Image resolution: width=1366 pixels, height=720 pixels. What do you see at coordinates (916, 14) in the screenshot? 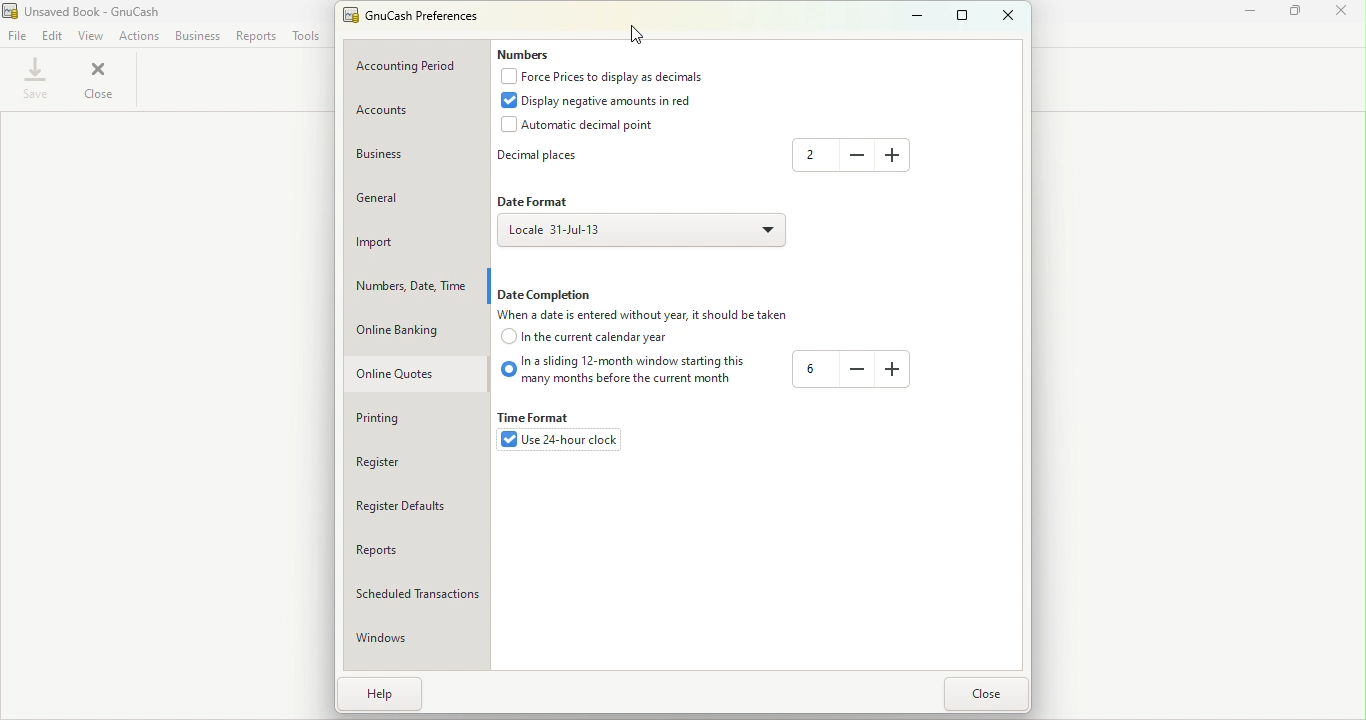
I see `Minimize` at bounding box center [916, 14].